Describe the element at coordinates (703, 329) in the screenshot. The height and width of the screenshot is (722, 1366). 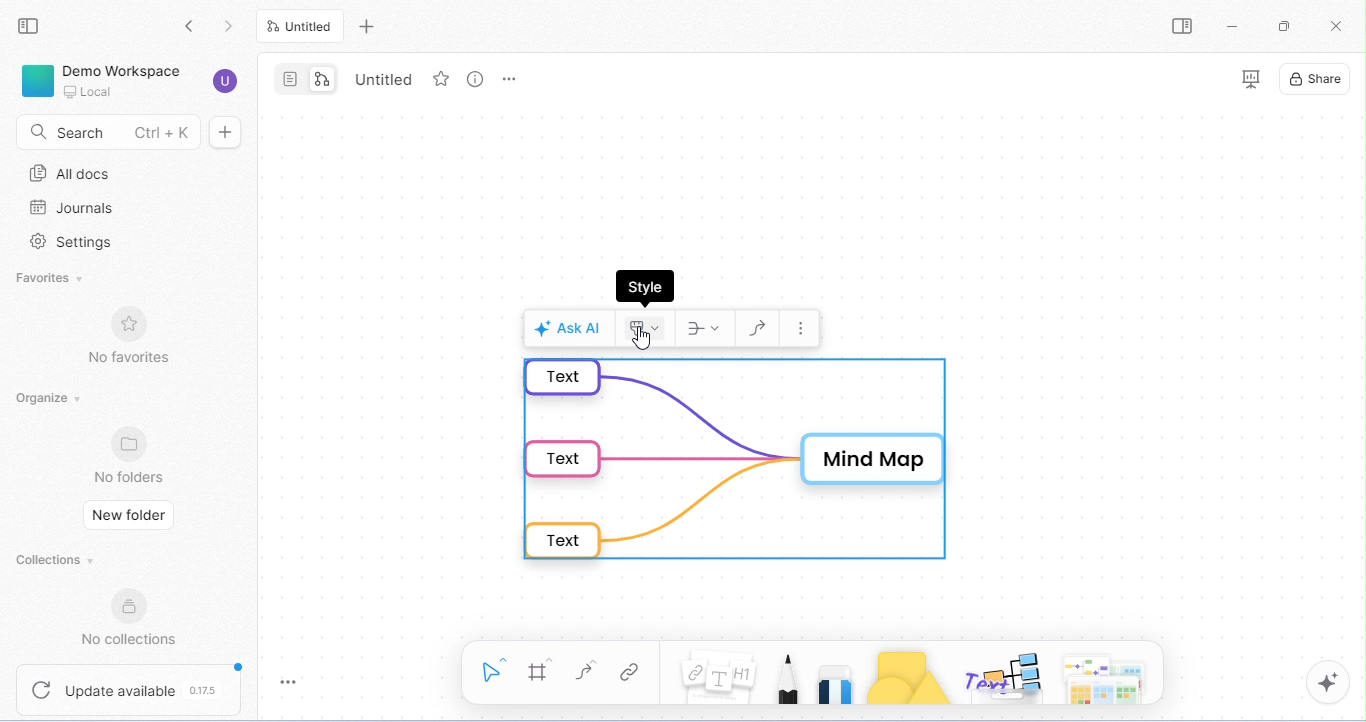
I see `layout` at that location.